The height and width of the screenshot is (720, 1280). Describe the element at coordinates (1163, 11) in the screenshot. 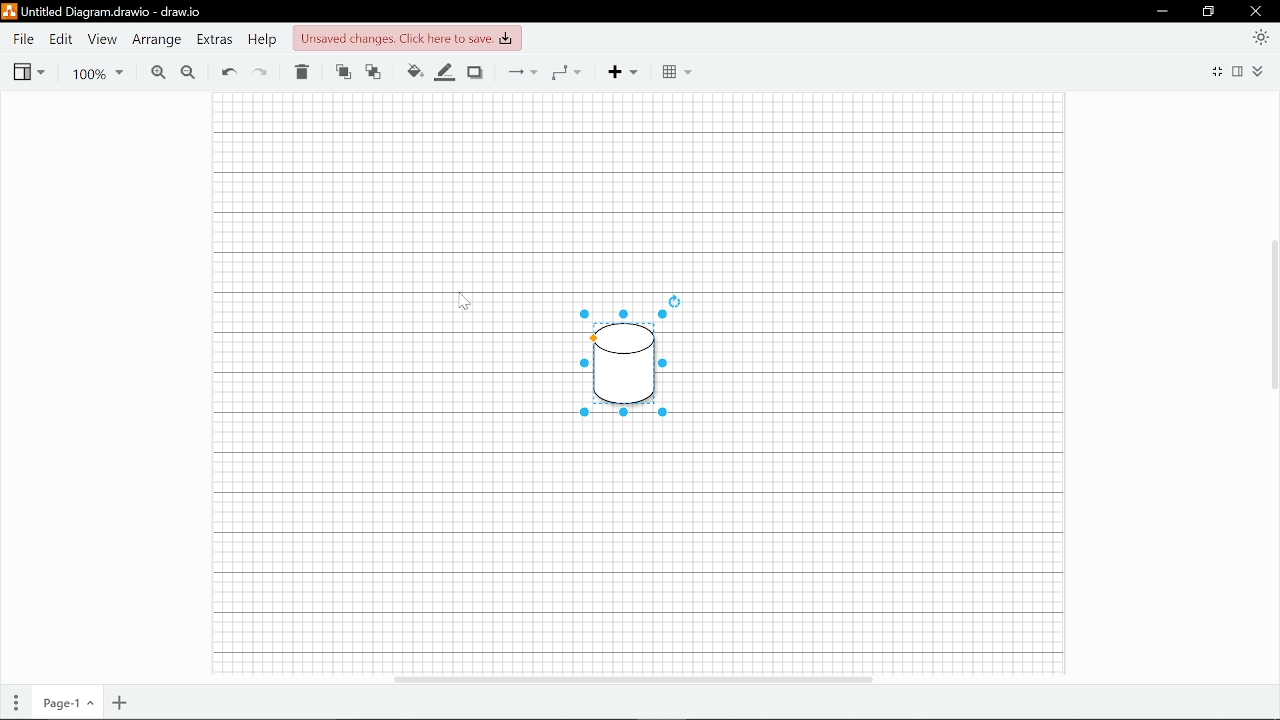

I see `Minimize` at that location.